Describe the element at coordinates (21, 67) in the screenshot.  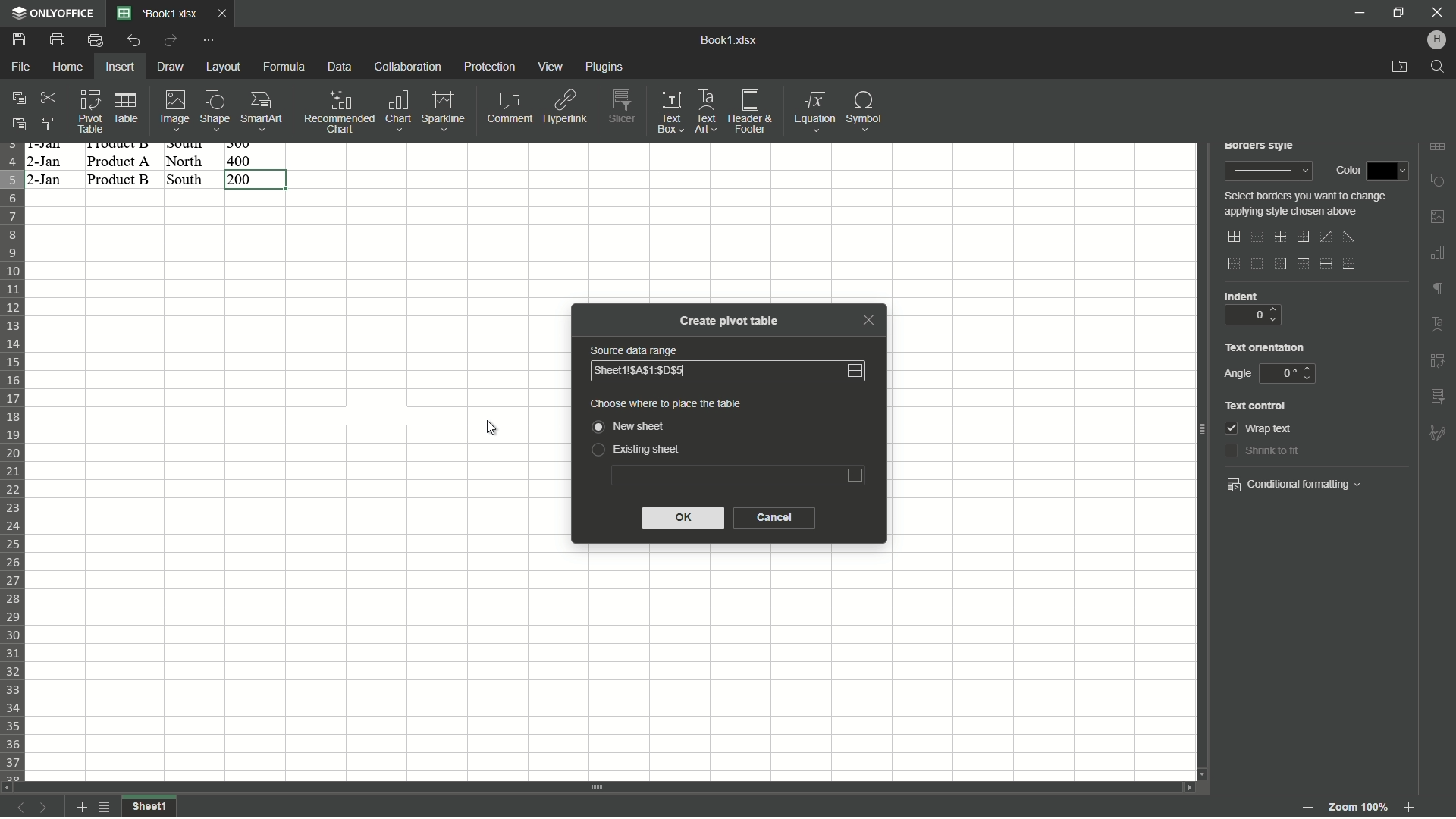
I see `File` at that location.